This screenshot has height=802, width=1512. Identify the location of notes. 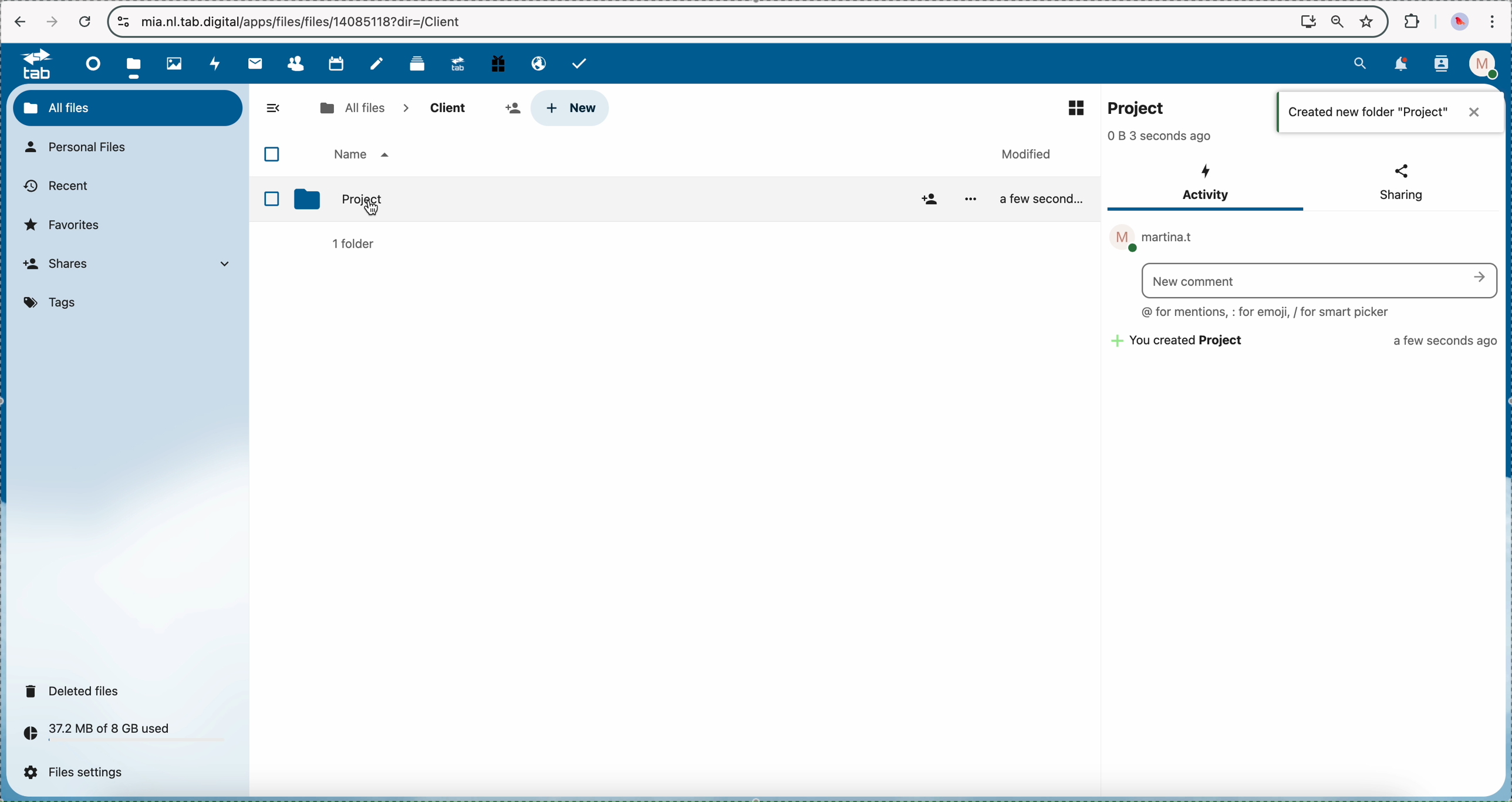
(379, 64).